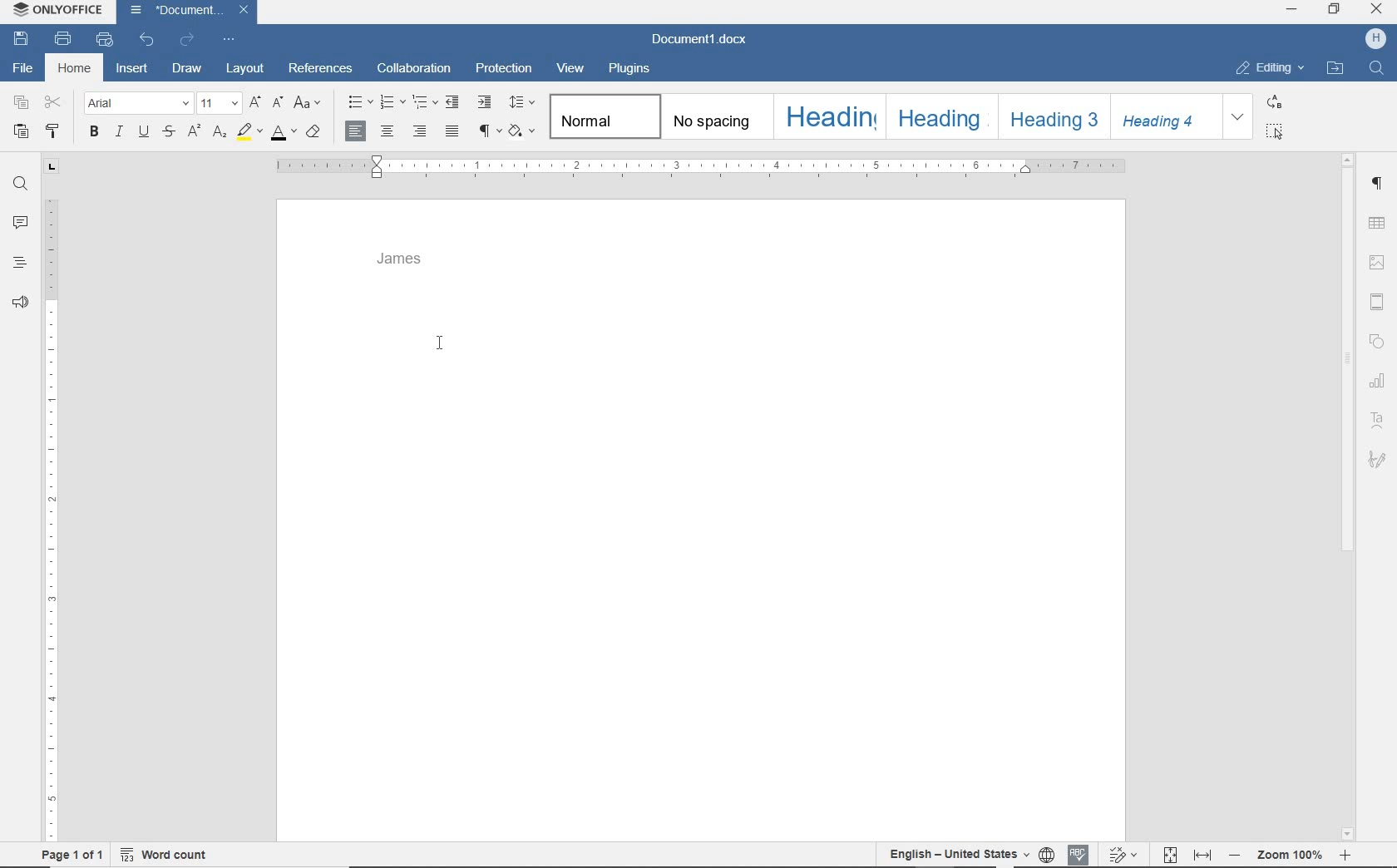  Describe the element at coordinates (356, 102) in the screenshot. I see `bullets` at that location.